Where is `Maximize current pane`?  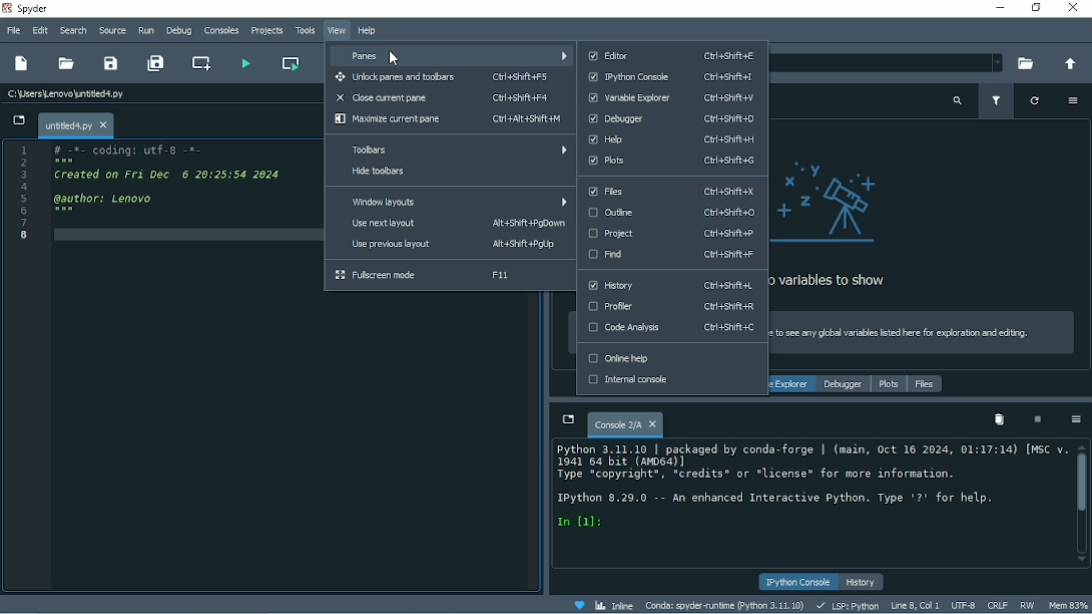
Maximize current pane is located at coordinates (447, 121).